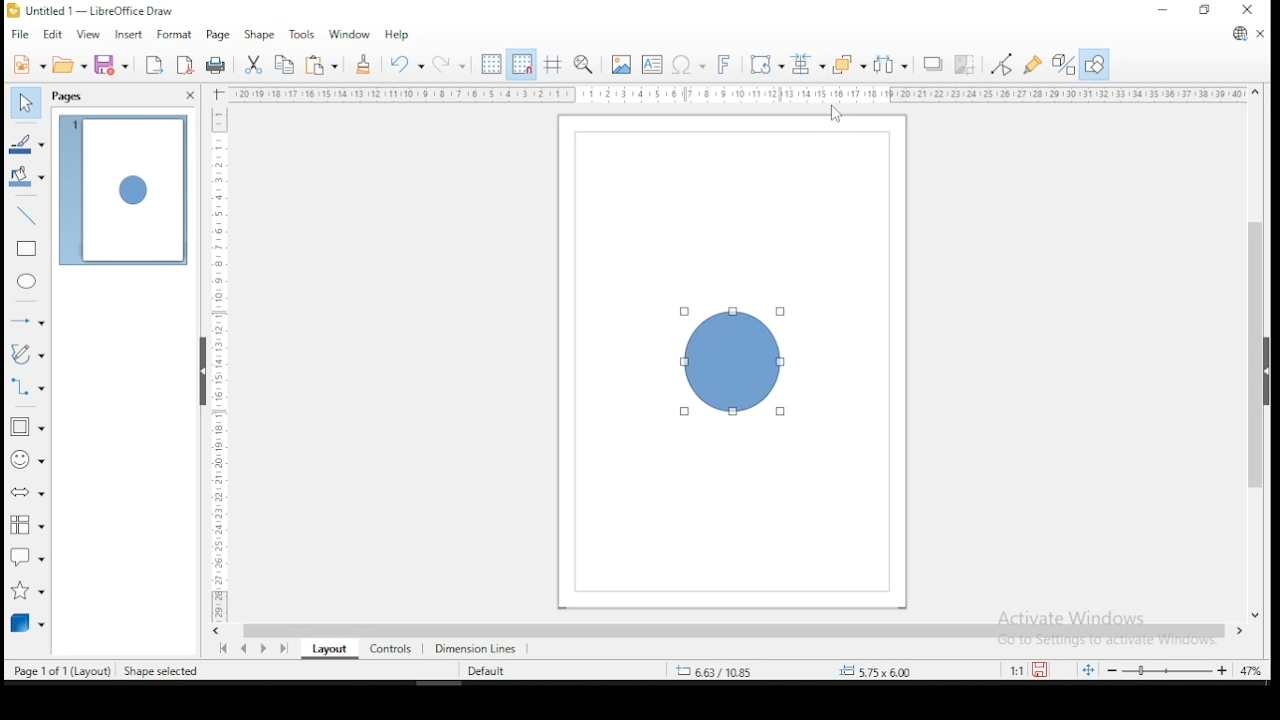 The image size is (1280, 720). Describe the element at coordinates (247, 648) in the screenshot. I see `previous page` at that location.